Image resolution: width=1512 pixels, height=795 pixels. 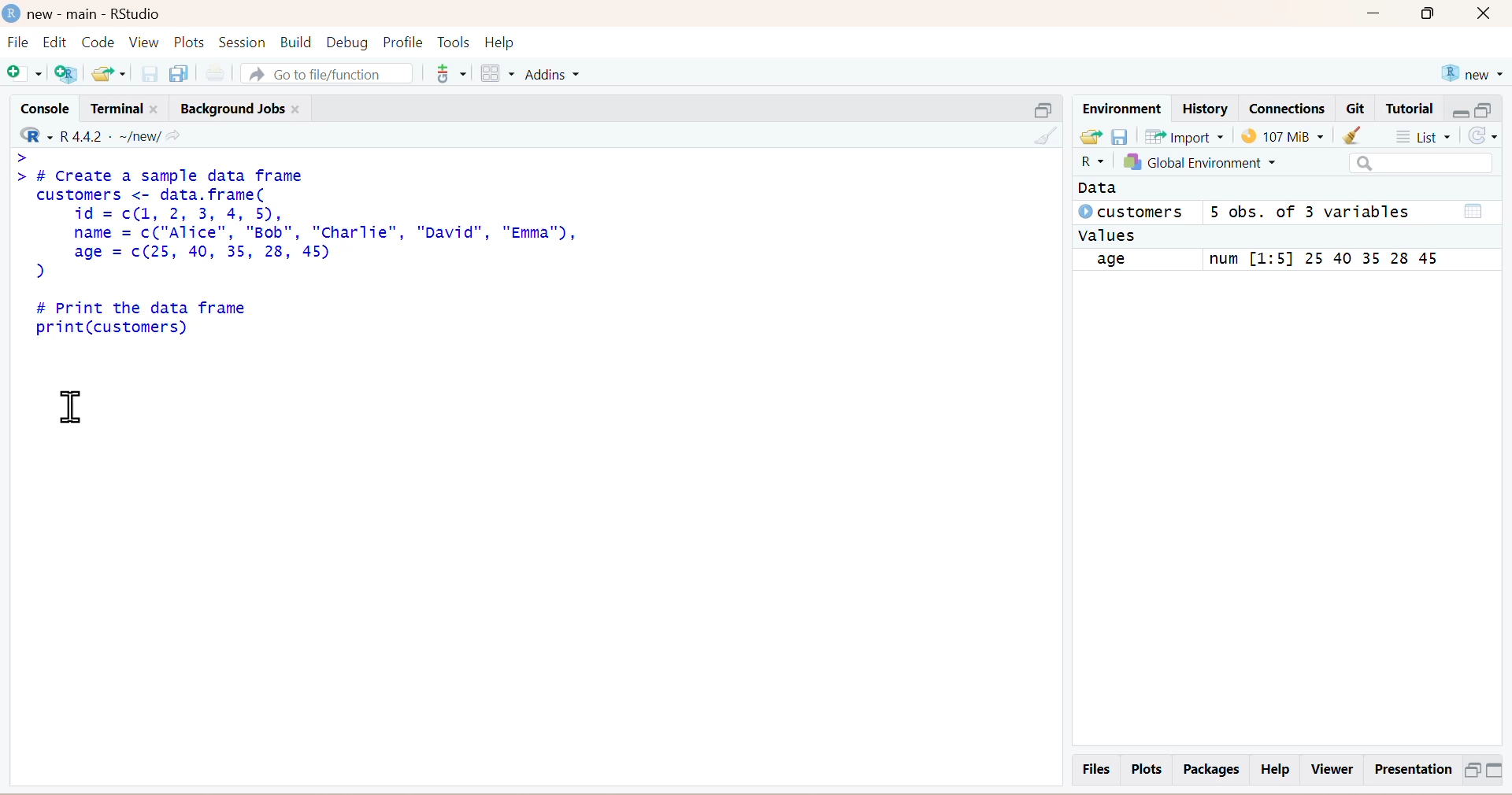 What do you see at coordinates (179, 72) in the screenshot?
I see `save all` at bounding box center [179, 72].